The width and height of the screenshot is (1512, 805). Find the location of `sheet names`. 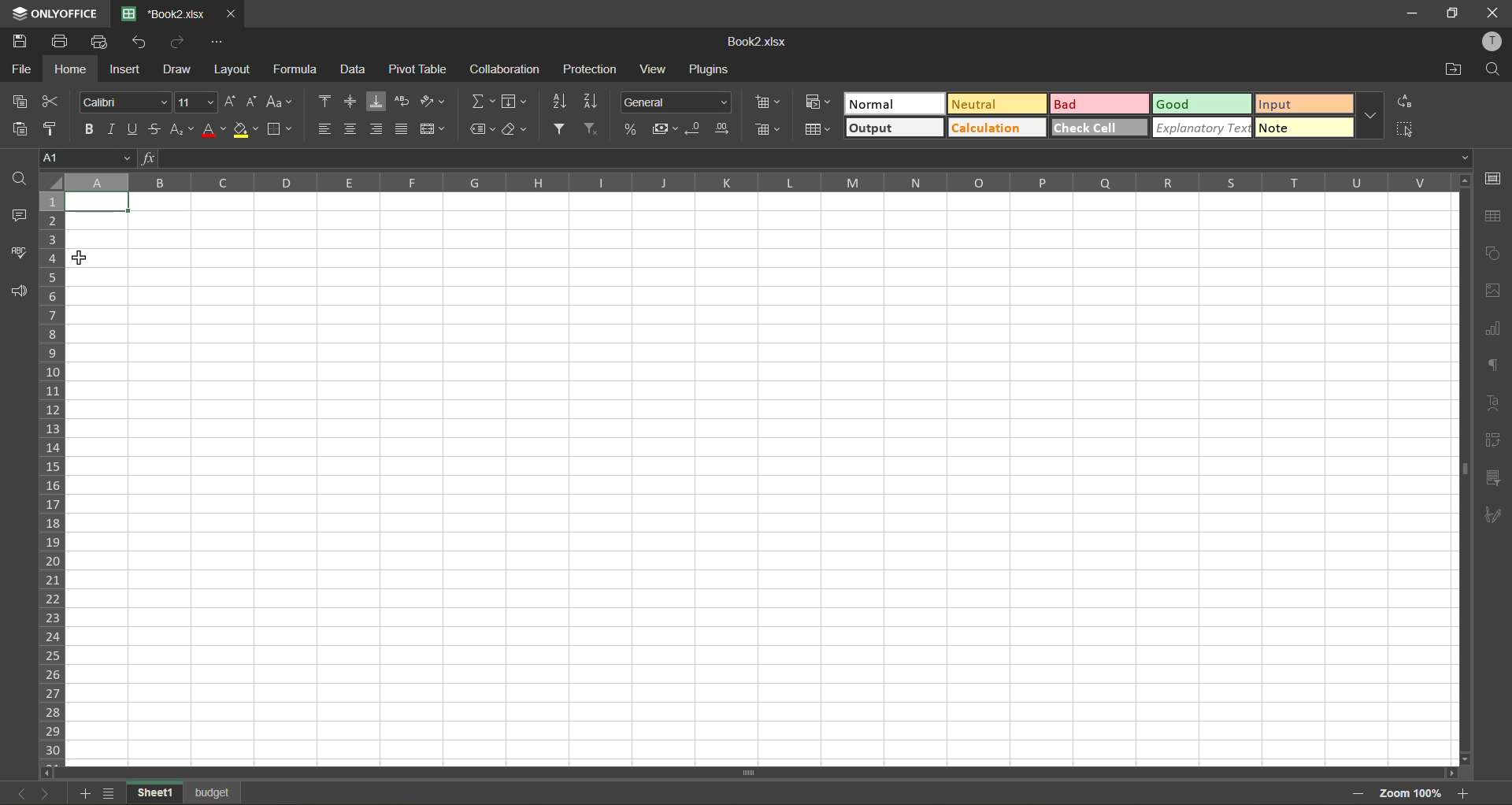

sheet names is located at coordinates (150, 792).